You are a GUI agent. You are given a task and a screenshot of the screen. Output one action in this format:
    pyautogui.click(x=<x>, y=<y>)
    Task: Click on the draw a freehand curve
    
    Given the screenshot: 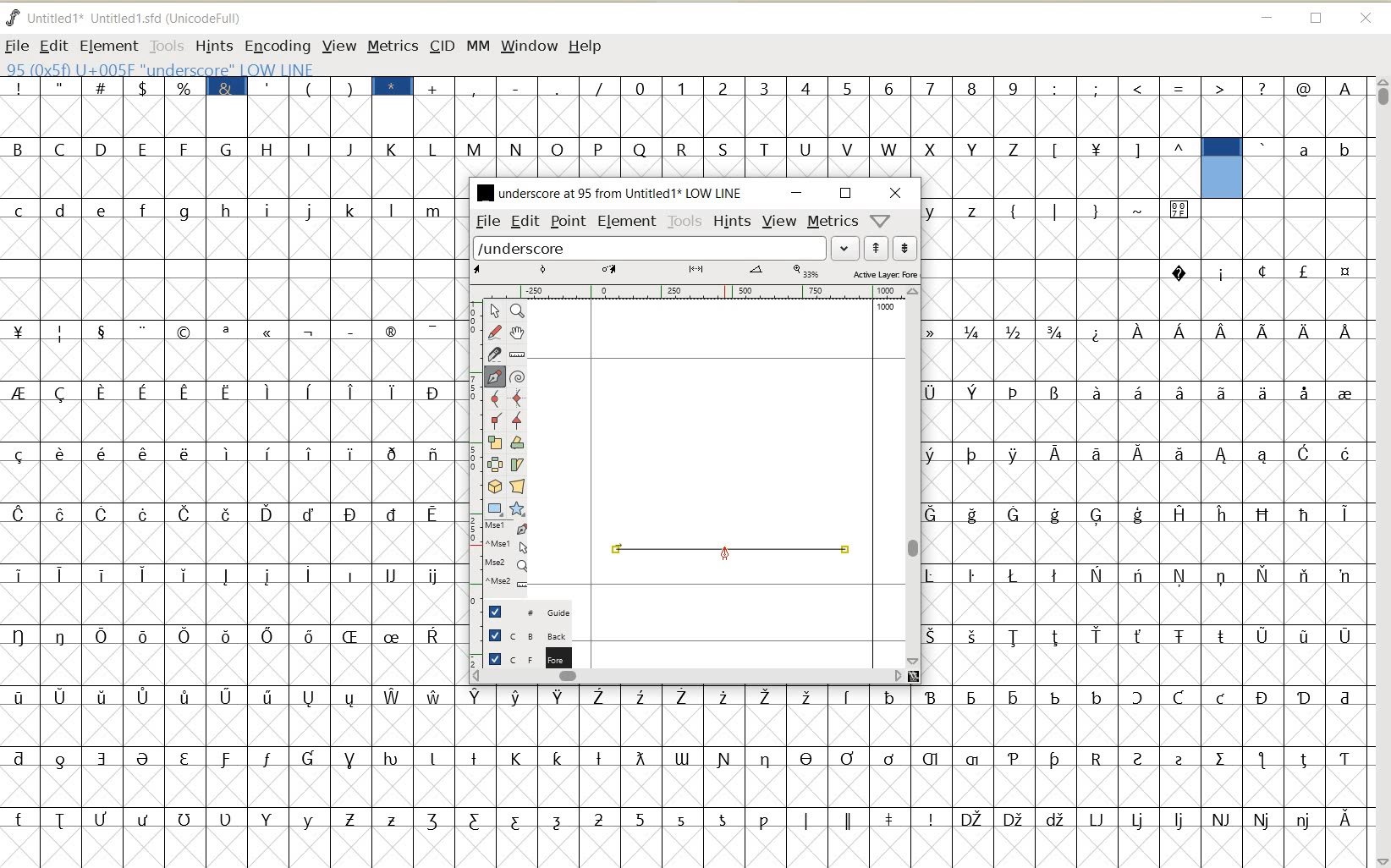 What is the action you would take?
    pyautogui.click(x=496, y=332)
    